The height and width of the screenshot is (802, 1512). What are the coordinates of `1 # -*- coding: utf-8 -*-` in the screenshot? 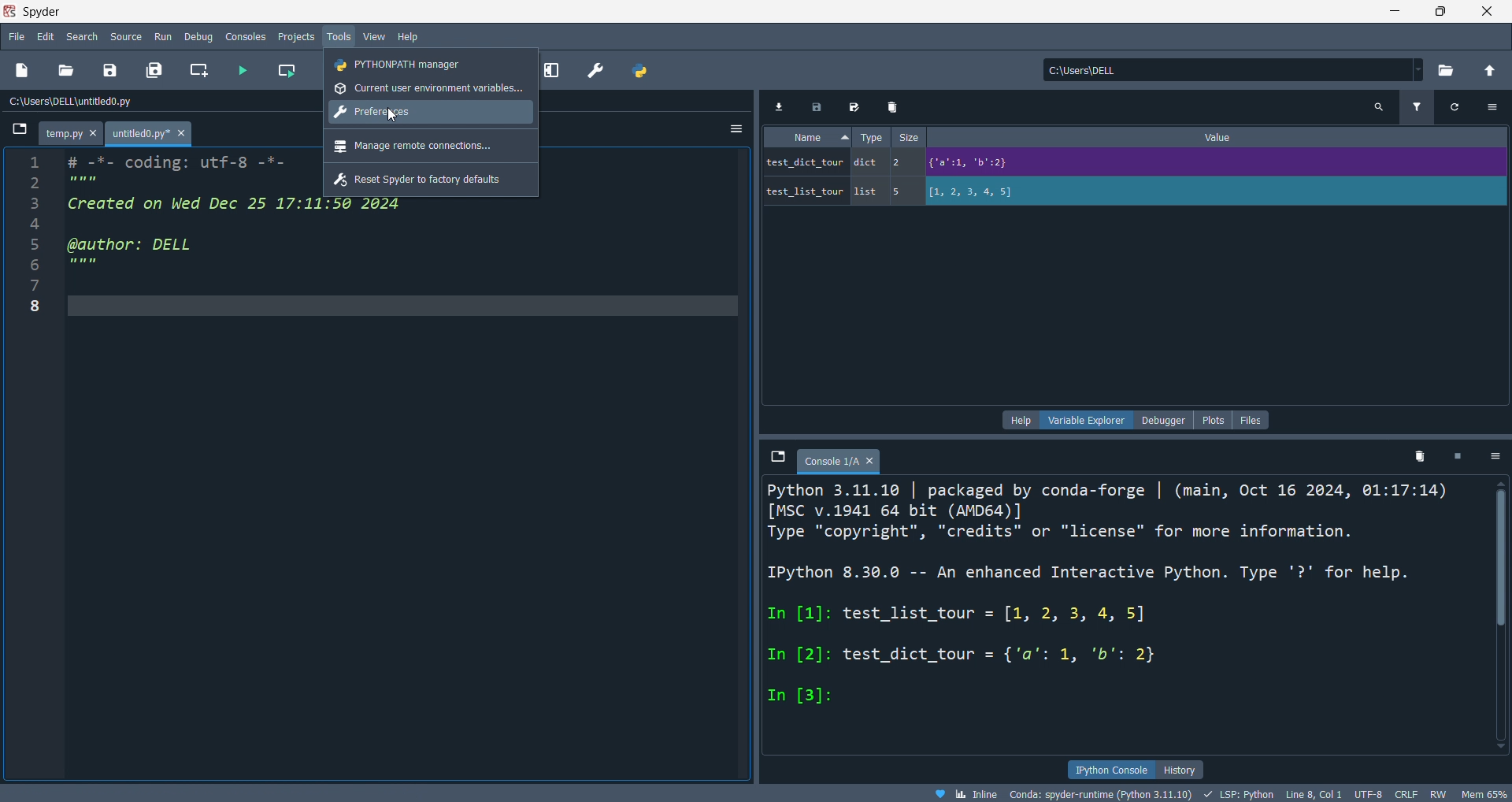 It's located at (156, 161).